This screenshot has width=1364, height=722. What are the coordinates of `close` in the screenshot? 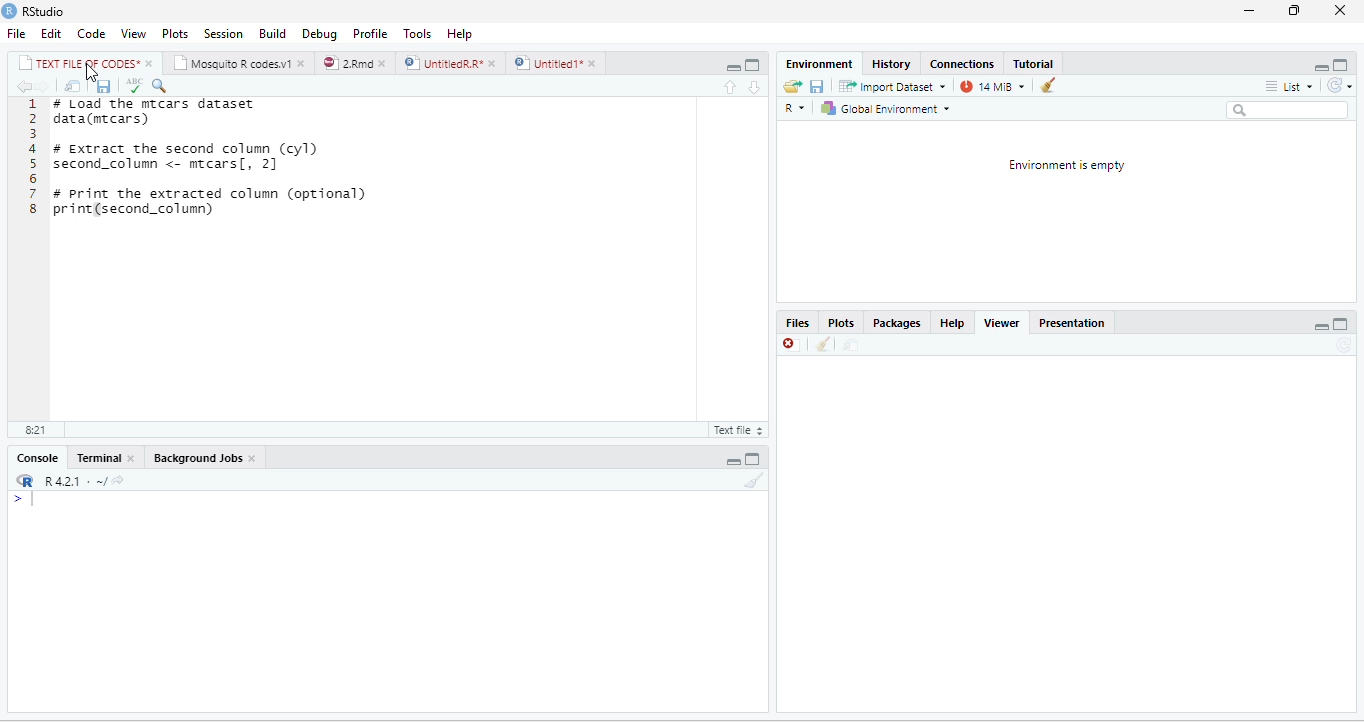 It's located at (595, 63).